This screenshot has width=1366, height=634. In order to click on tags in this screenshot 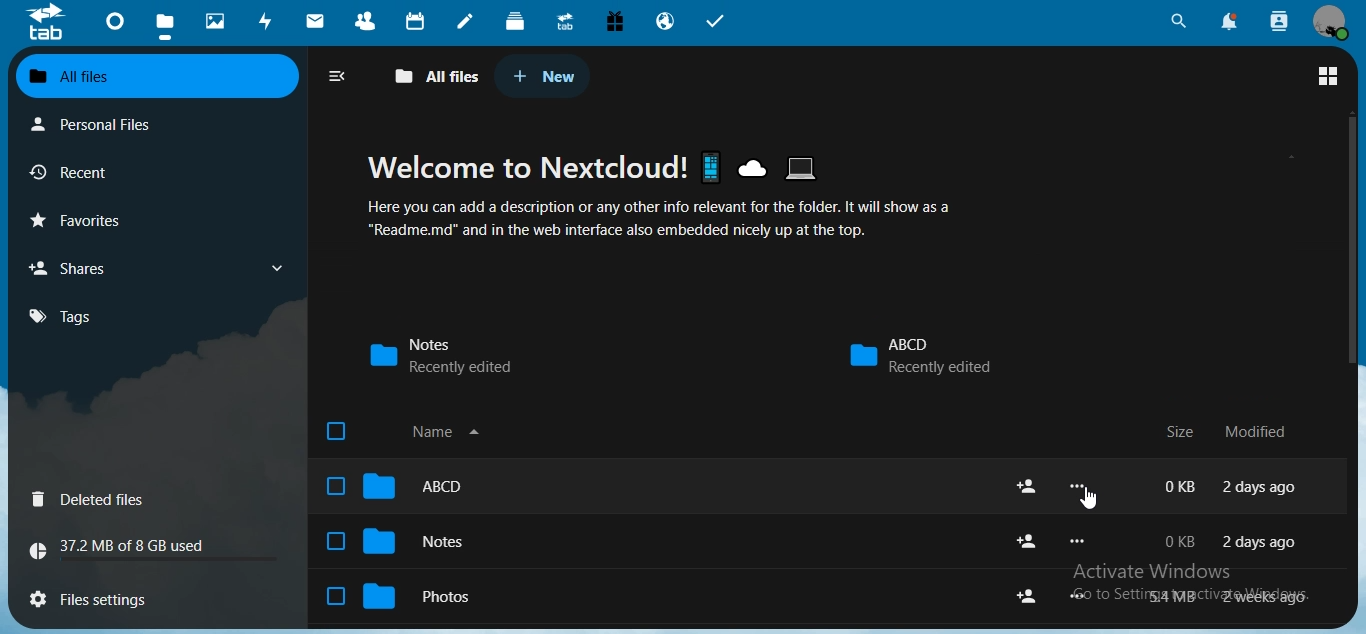, I will do `click(65, 316)`.